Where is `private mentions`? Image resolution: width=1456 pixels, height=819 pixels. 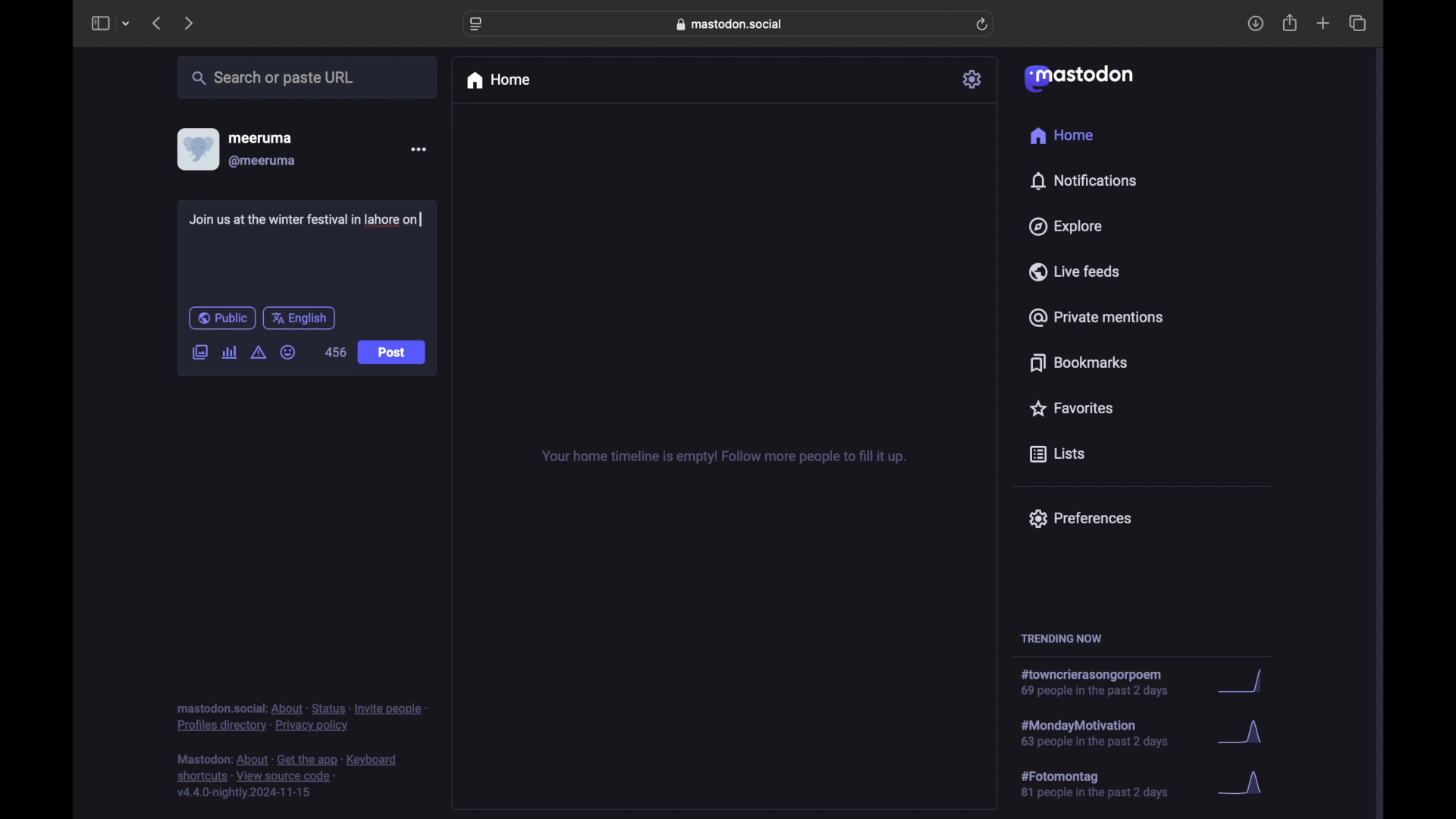
private mentions is located at coordinates (1097, 317).